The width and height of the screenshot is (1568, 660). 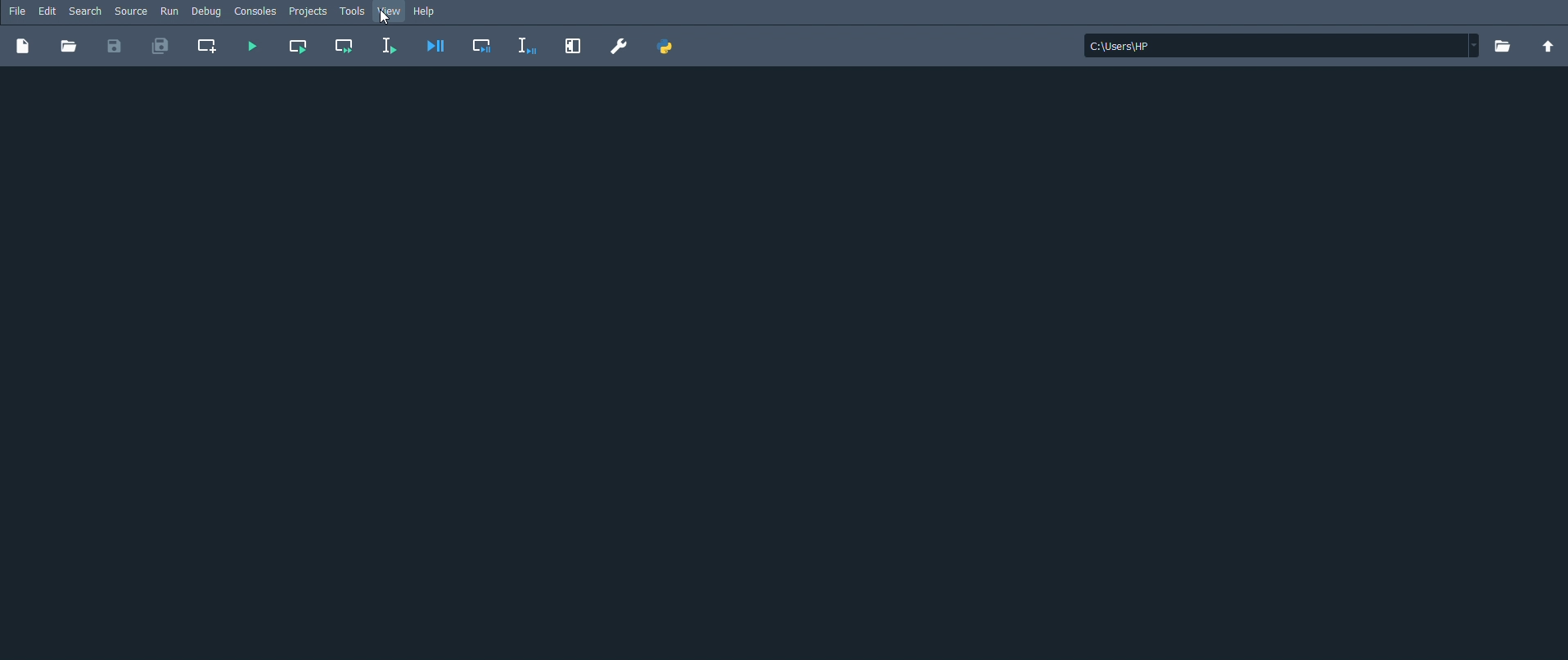 I want to click on Save all files, so click(x=161, y=47).